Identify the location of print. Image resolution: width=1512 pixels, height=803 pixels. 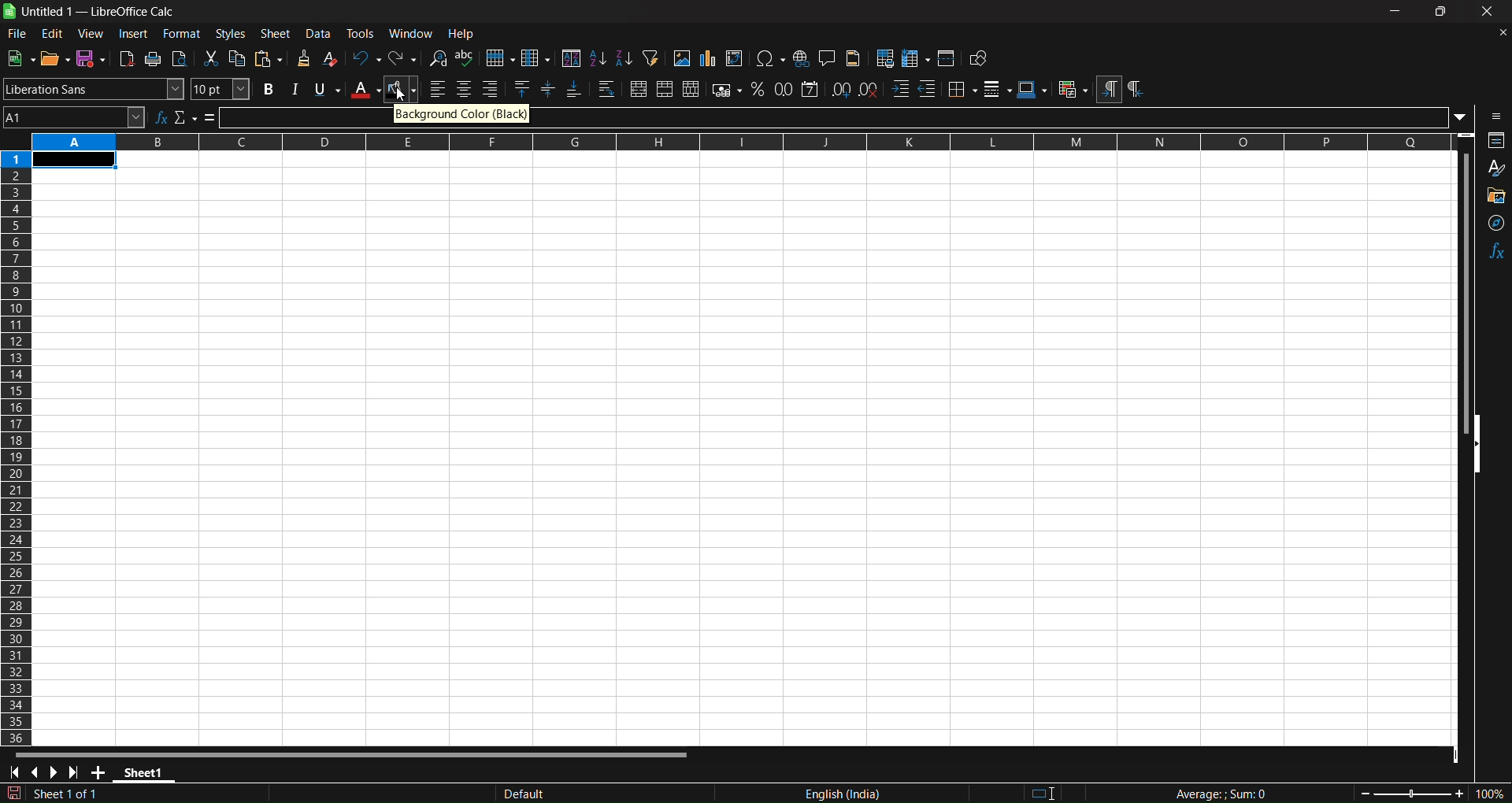
(154, 59).